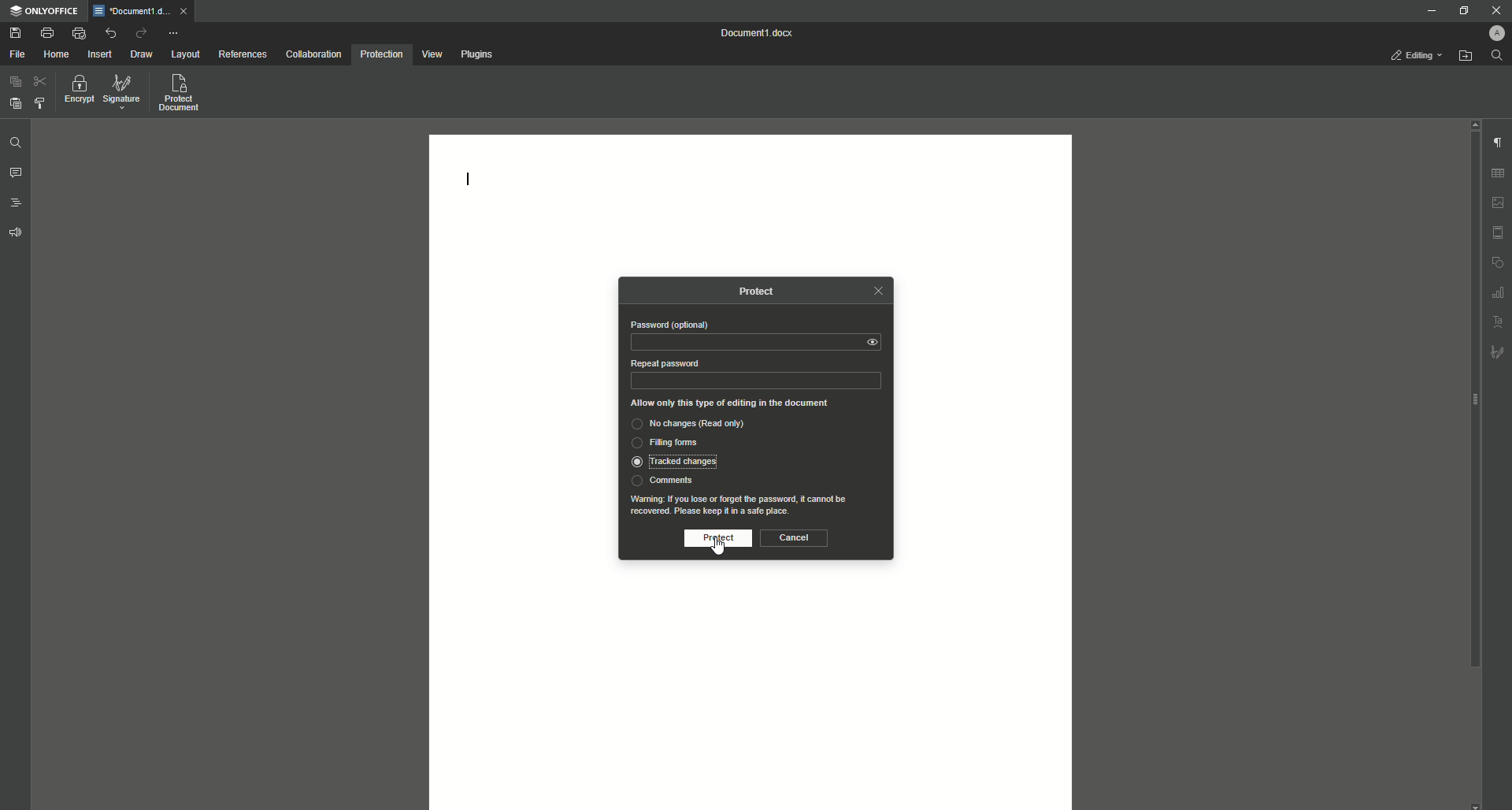  Describe the element at coordinates (1499, 55) in the screenshot. I see `Find` at that location.